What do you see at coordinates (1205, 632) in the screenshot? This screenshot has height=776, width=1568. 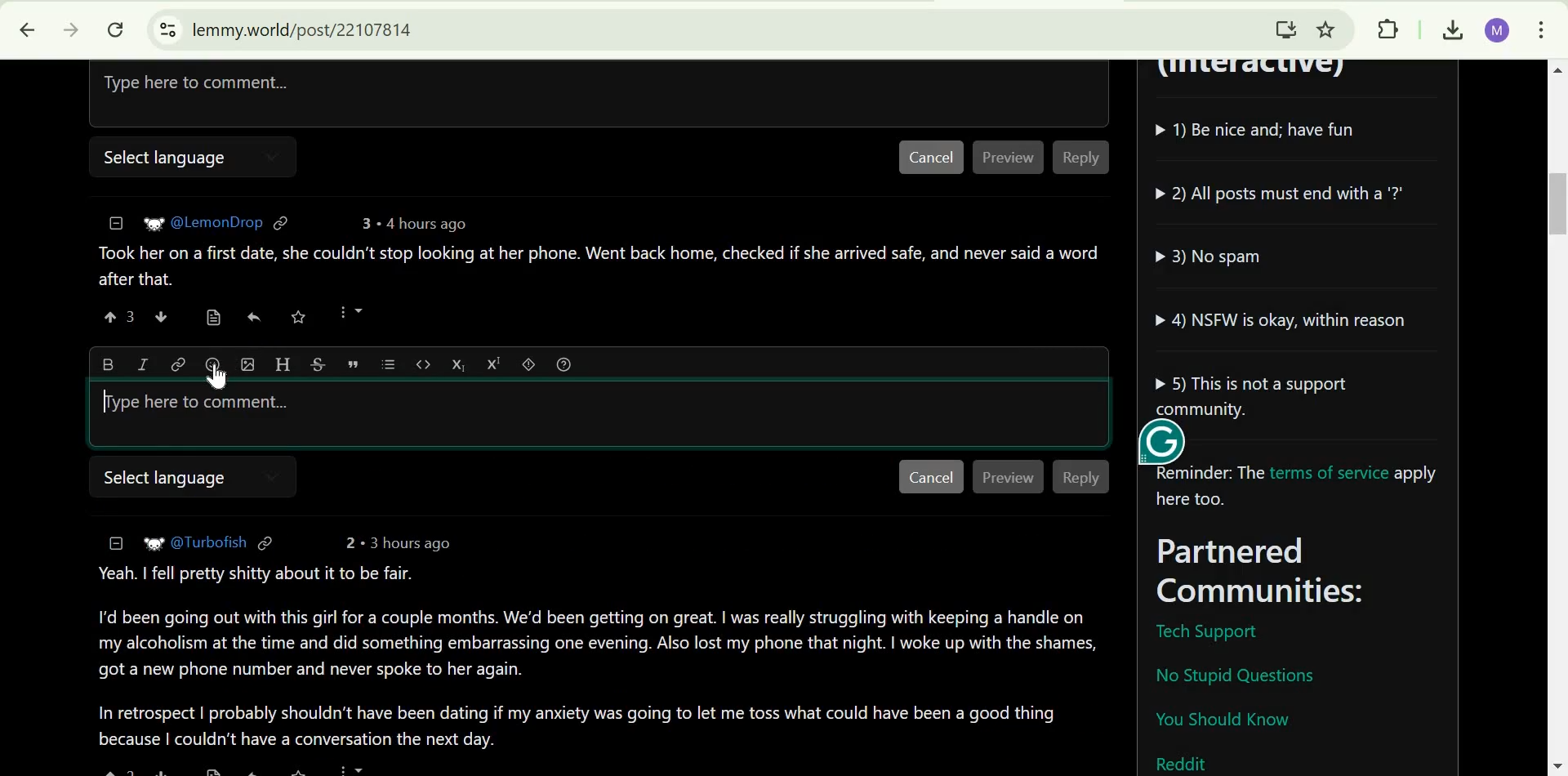 I see `Tech Support` at bounding box center [1205, 632].